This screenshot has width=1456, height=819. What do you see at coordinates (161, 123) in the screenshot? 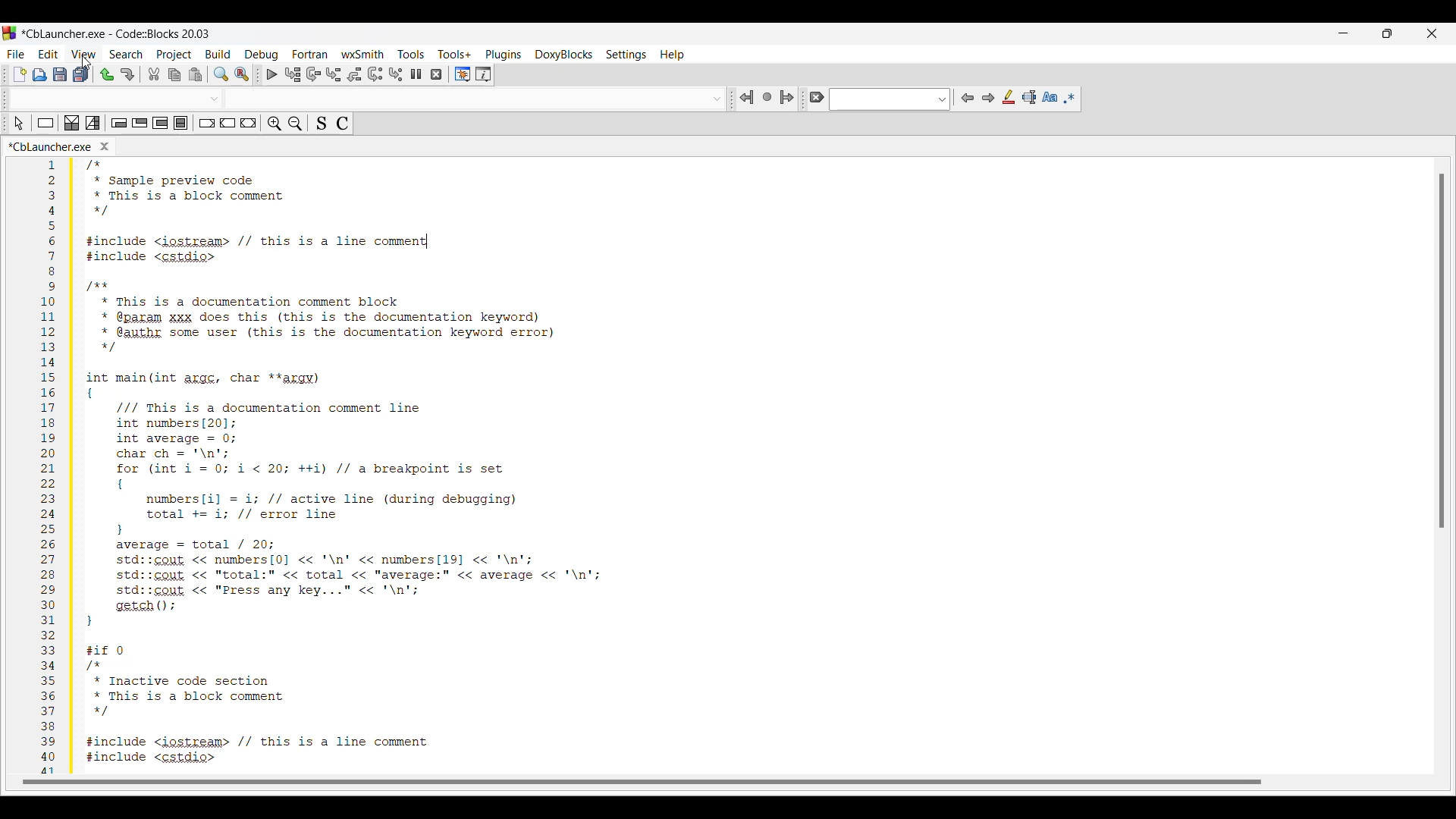
I see `Counting loop` at bounding box center [161, 123].